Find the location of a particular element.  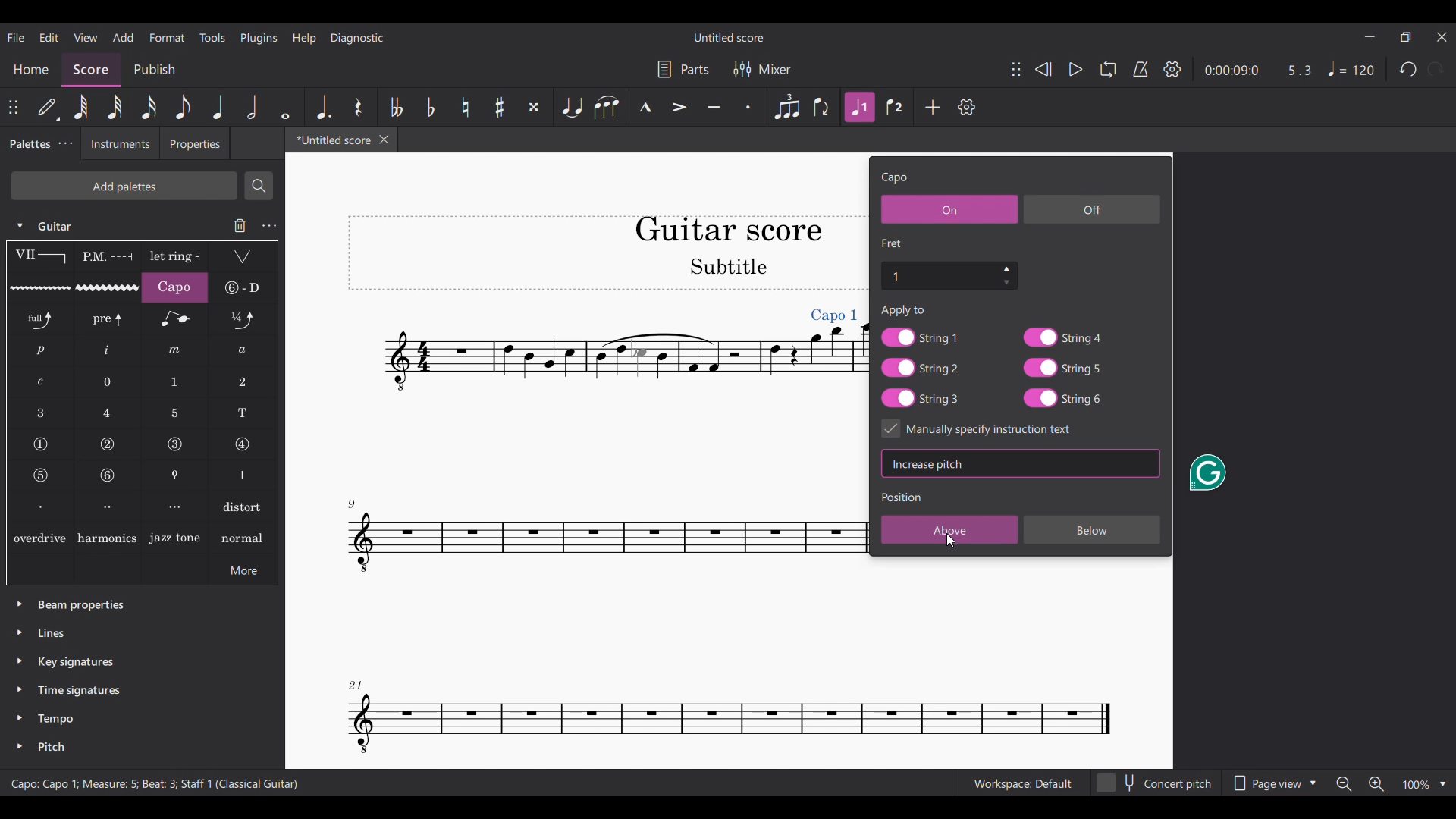

String 2 toggle is located at coordinates (921, 368).